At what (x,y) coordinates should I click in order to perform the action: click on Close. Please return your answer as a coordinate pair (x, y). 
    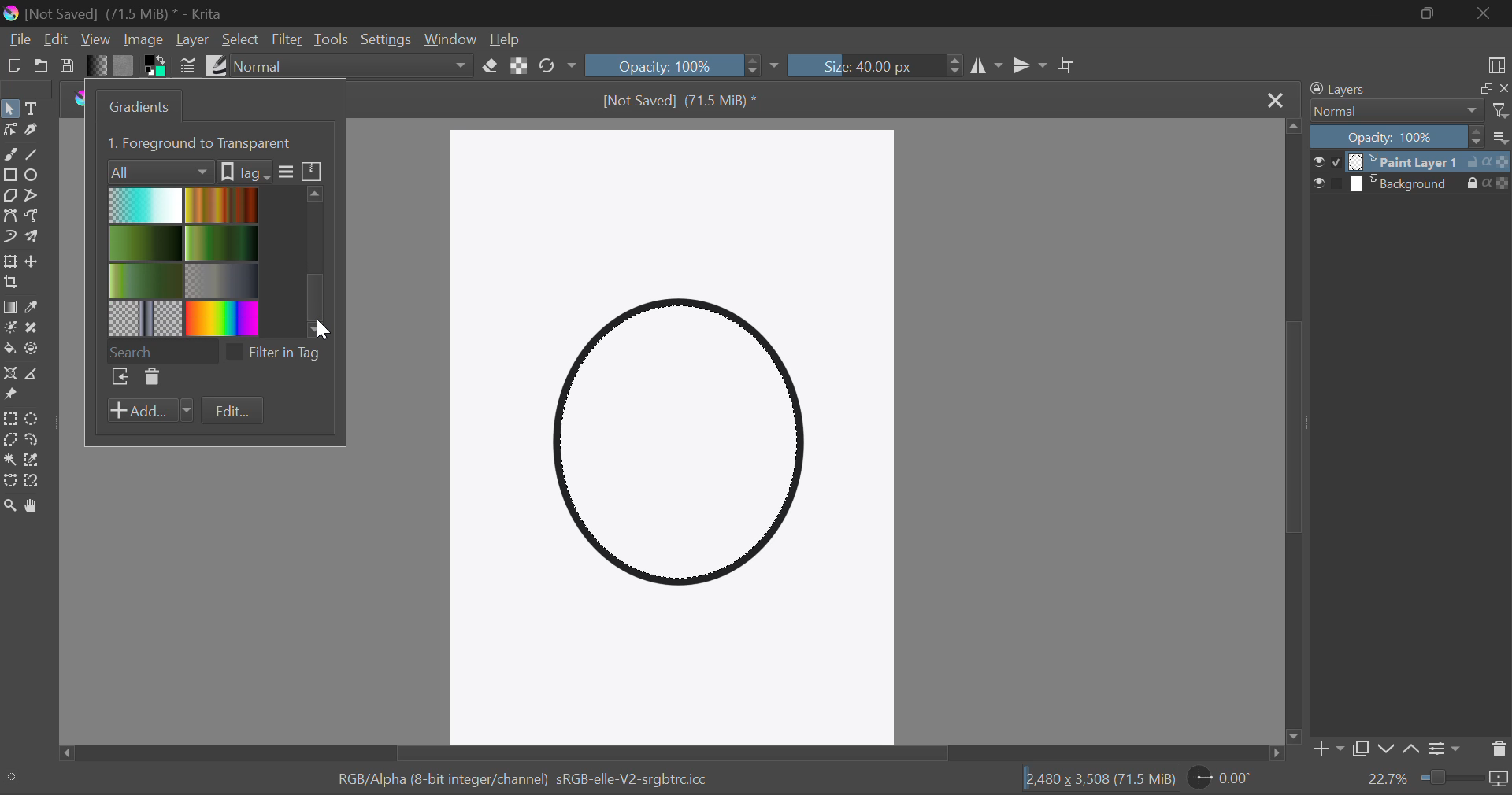
    Looking at the image, I should click on (1276, 102).